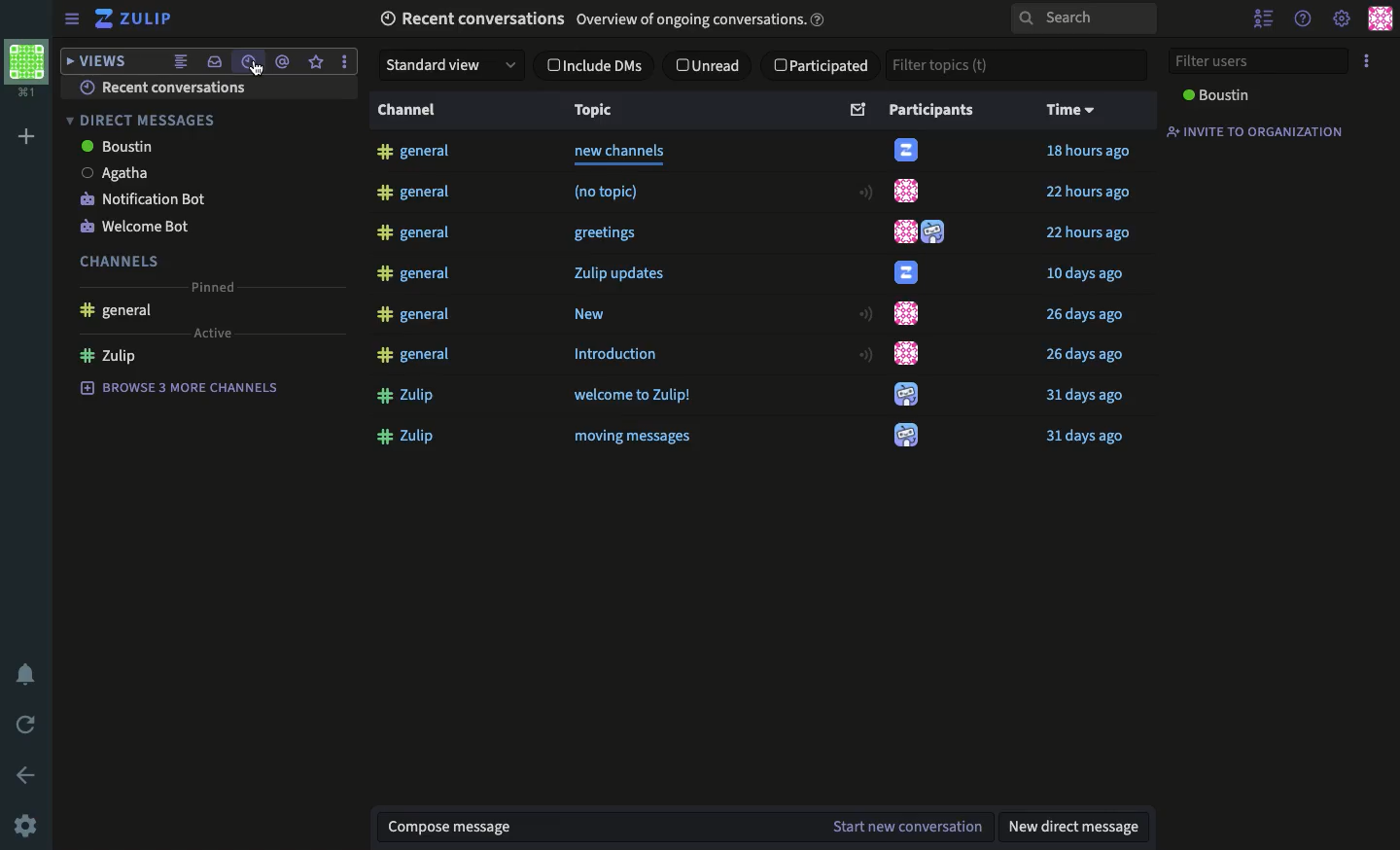  What do you see at coordinates (1304, 19) in the screenshot?
I see `help` at bounding box center [1304, 19].